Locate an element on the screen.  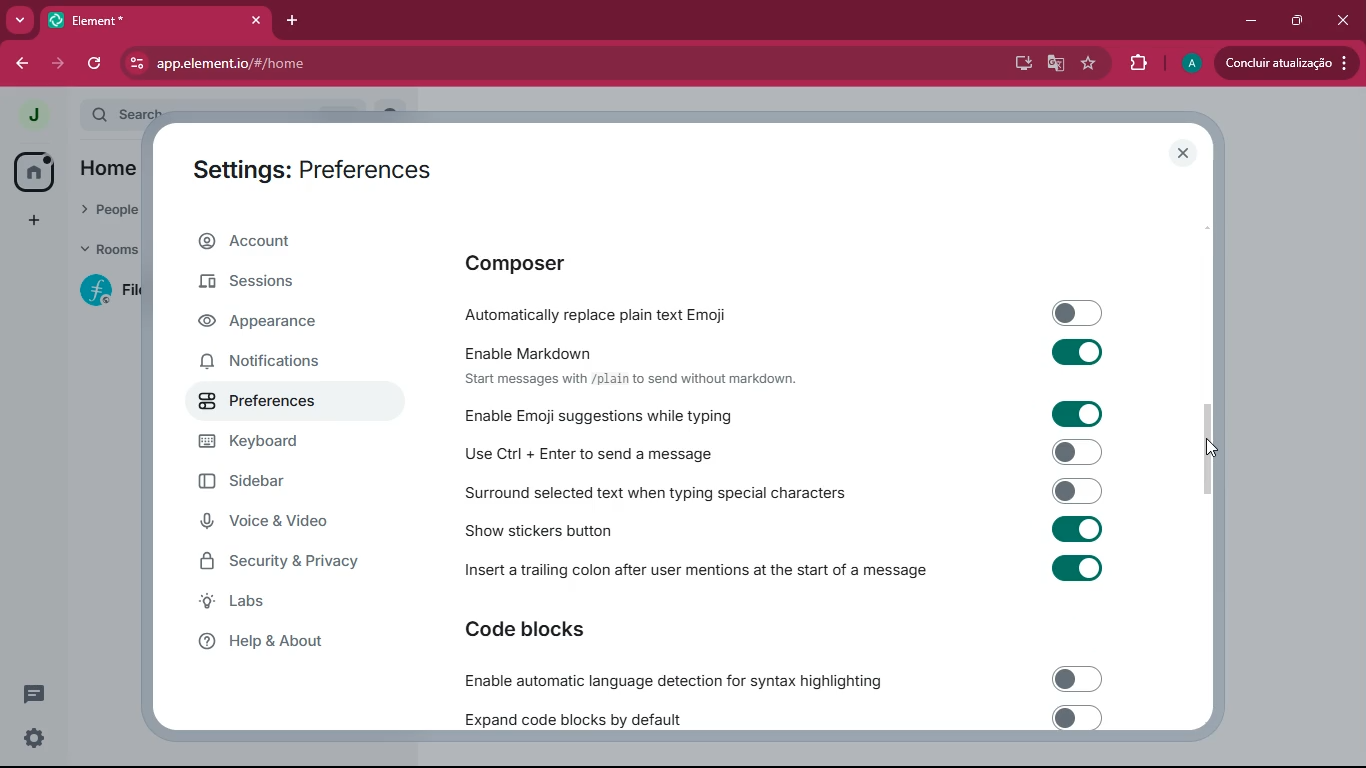
sessions is located at coordinates (282, 284).